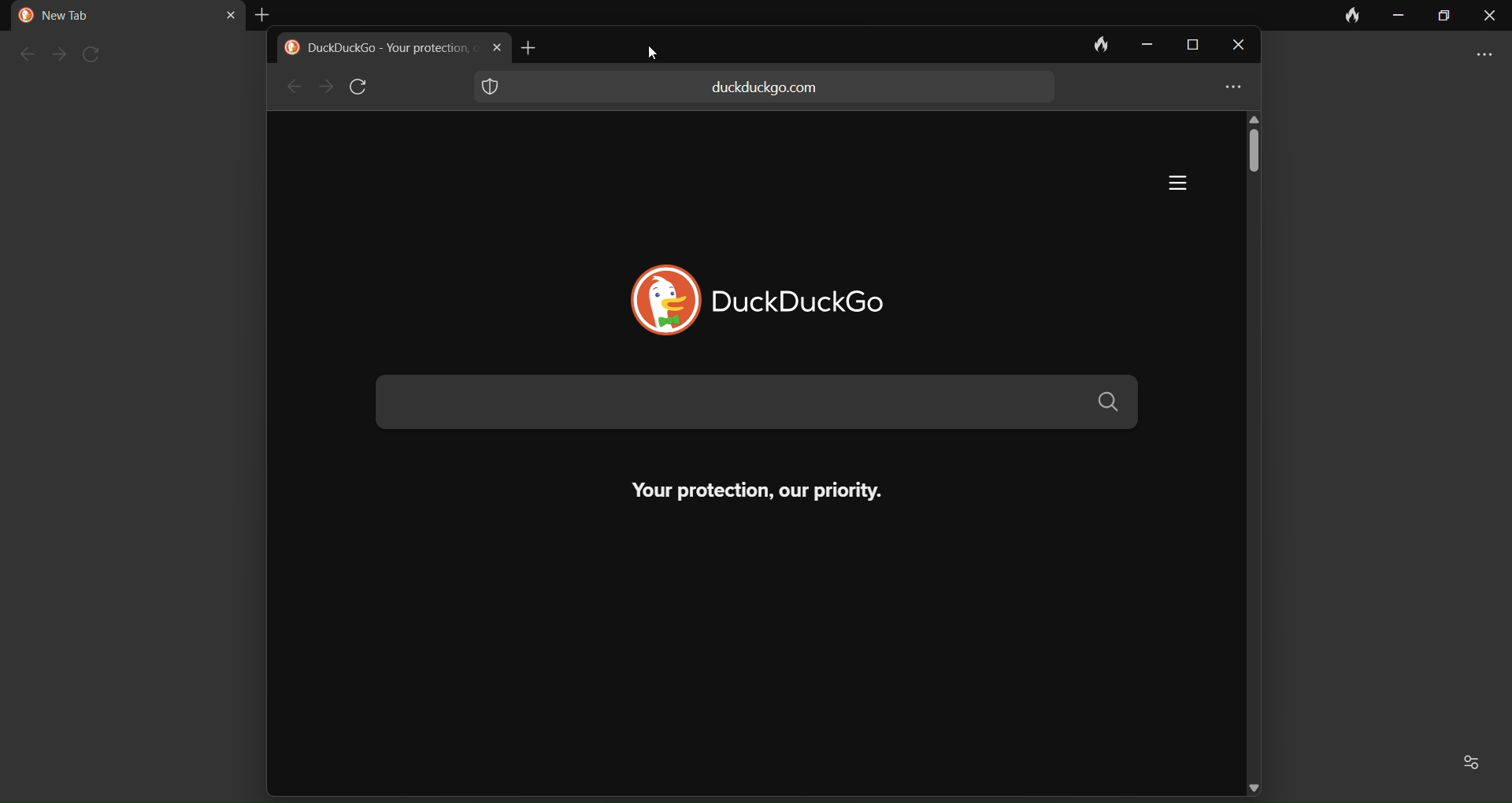 The height and width of the screenshot is (803, 1512). I want to click on menu, so click(1162, 184).